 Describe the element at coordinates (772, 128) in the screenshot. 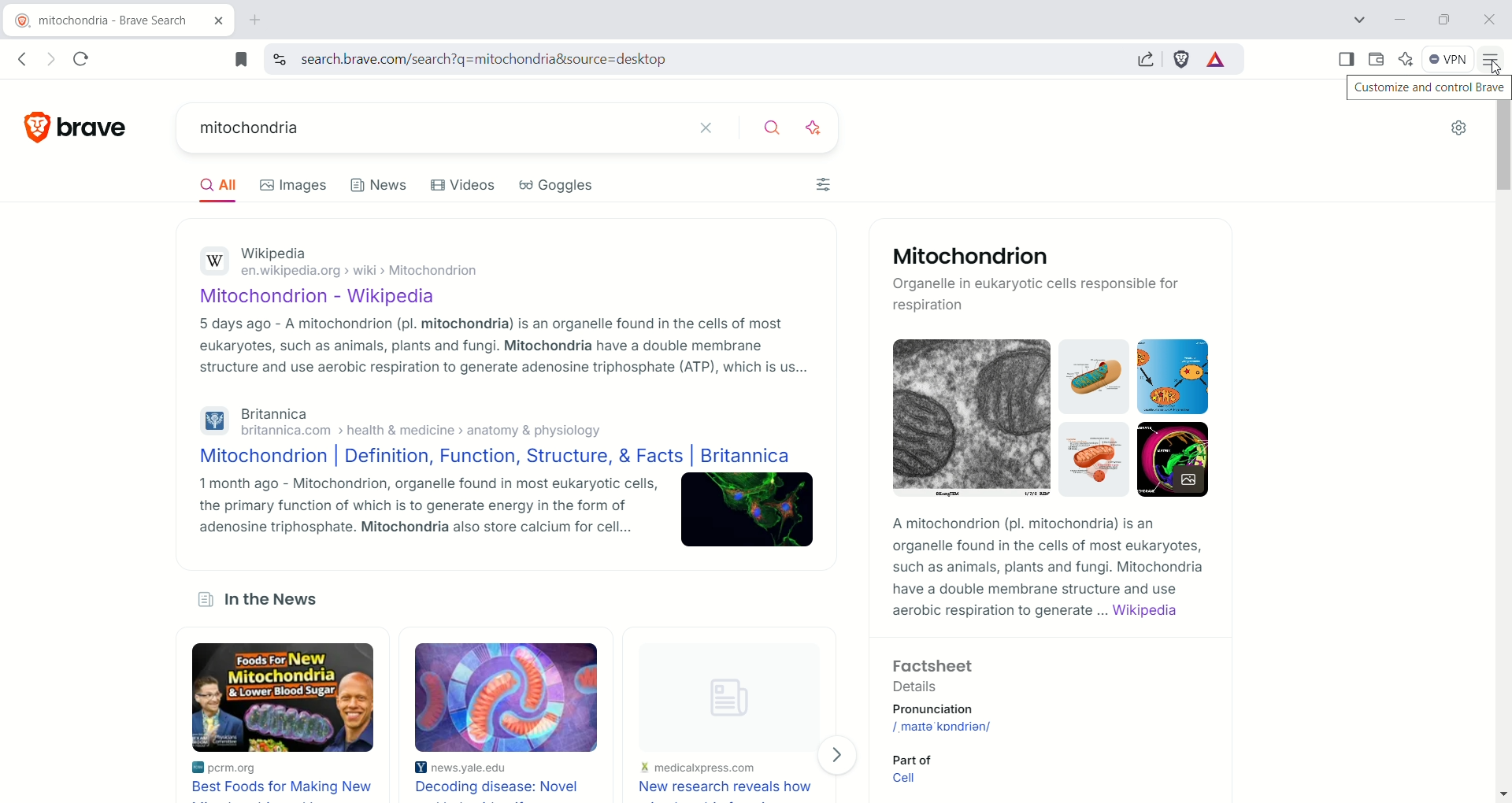

I see `search` at that location.